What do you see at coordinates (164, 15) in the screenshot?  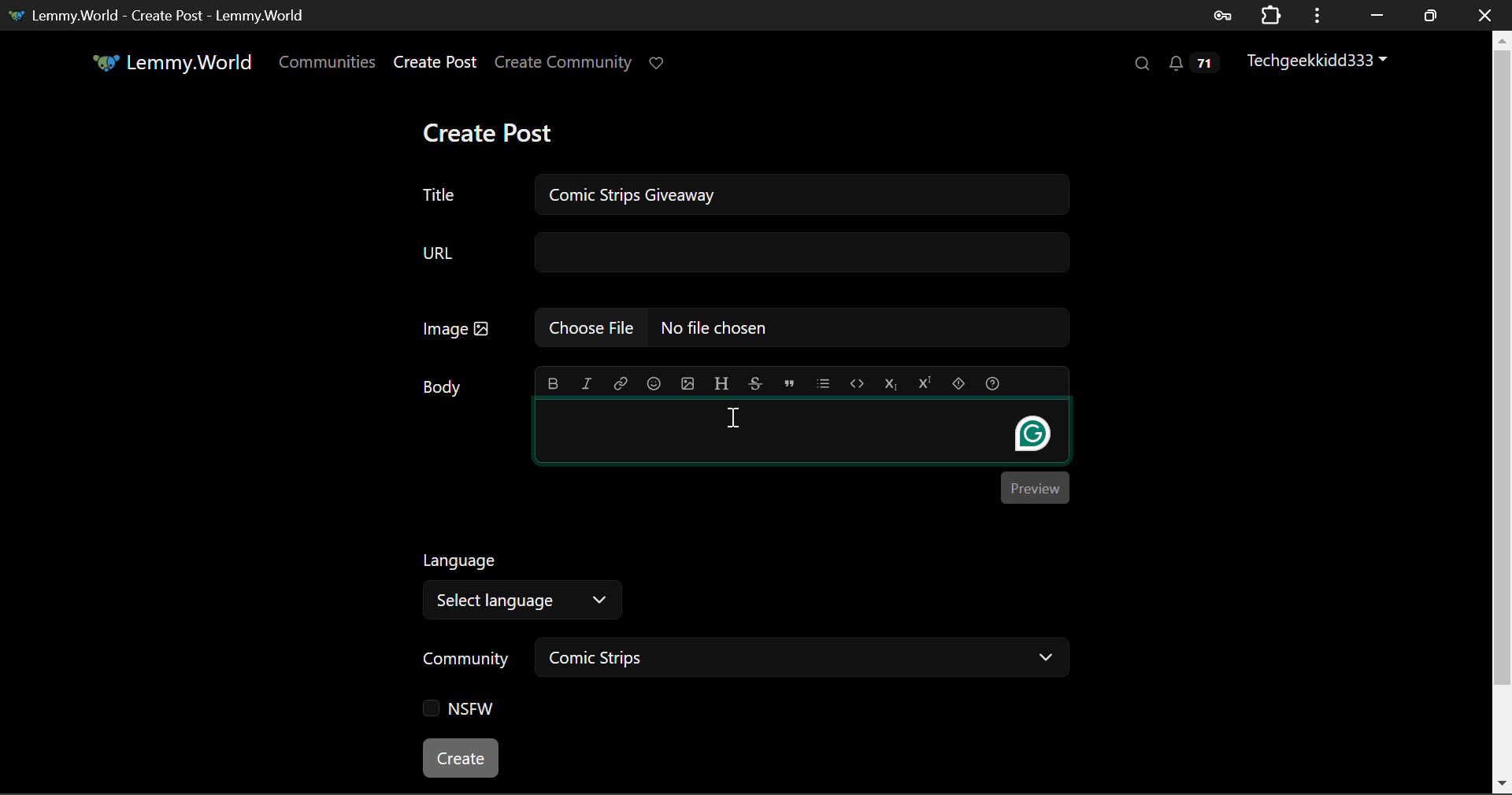 I see `Lemmy.World- Create Post - Lemmy.World` at bounding box center [164, 15].